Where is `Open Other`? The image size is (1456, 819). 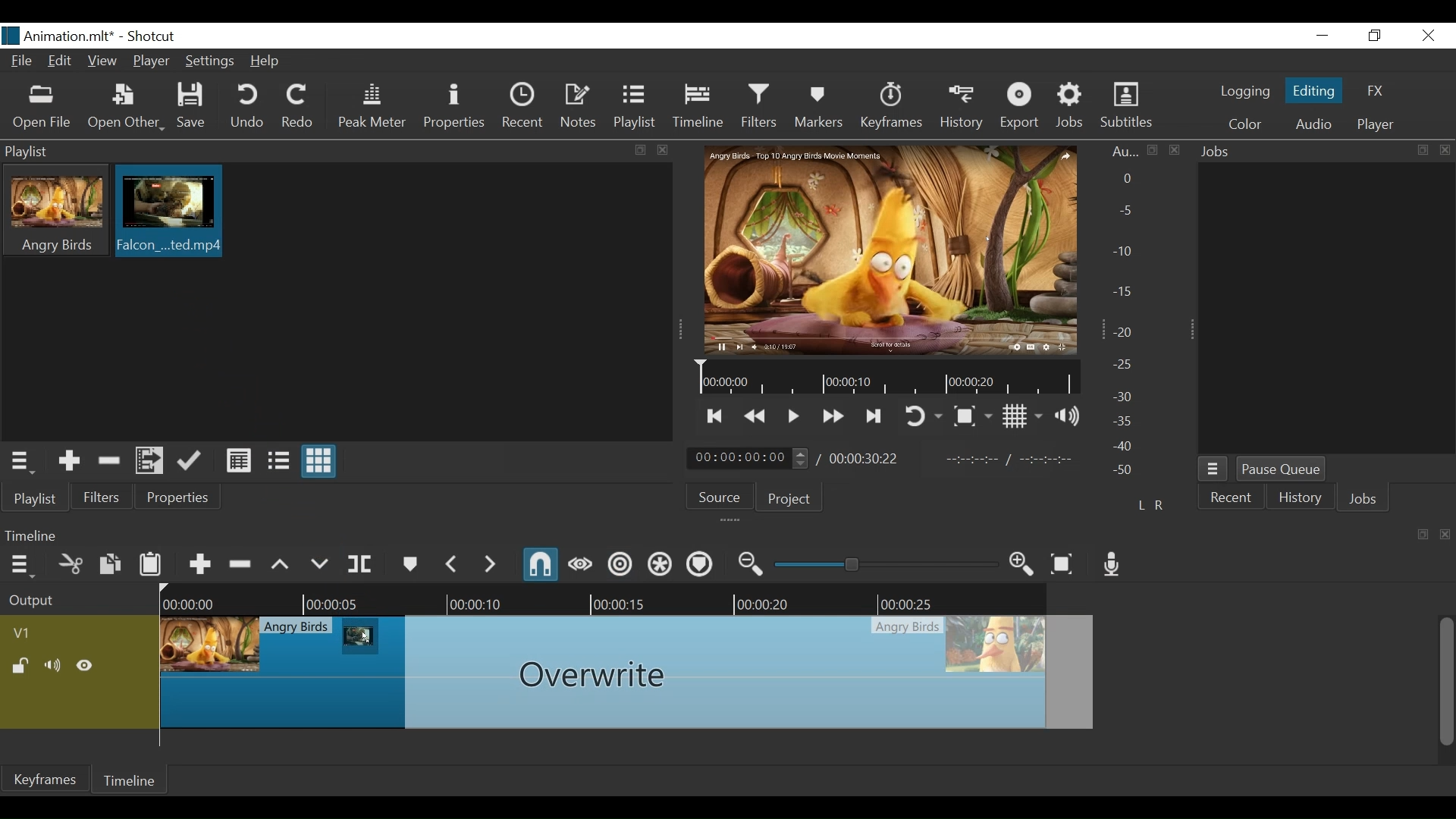 Open Other is located at coordinates (125, 108).